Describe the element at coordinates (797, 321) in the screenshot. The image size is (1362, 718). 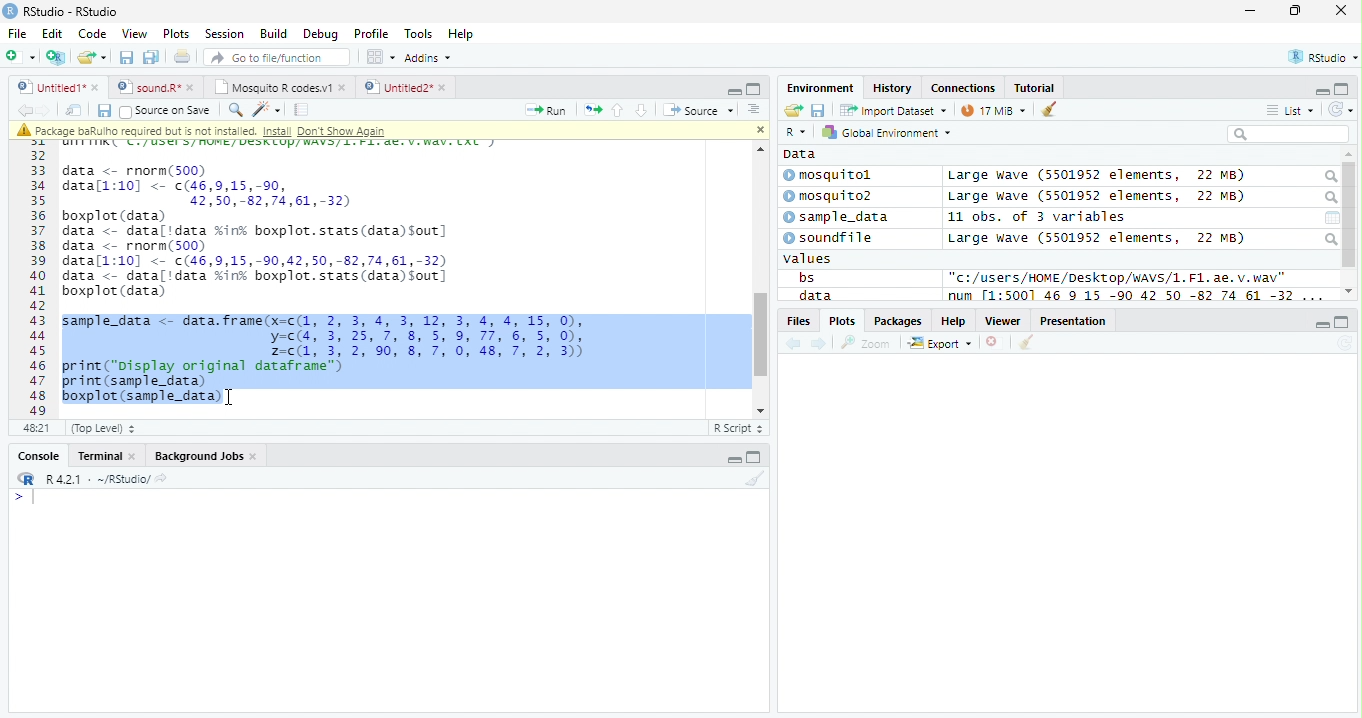
I see `Files` at that location.